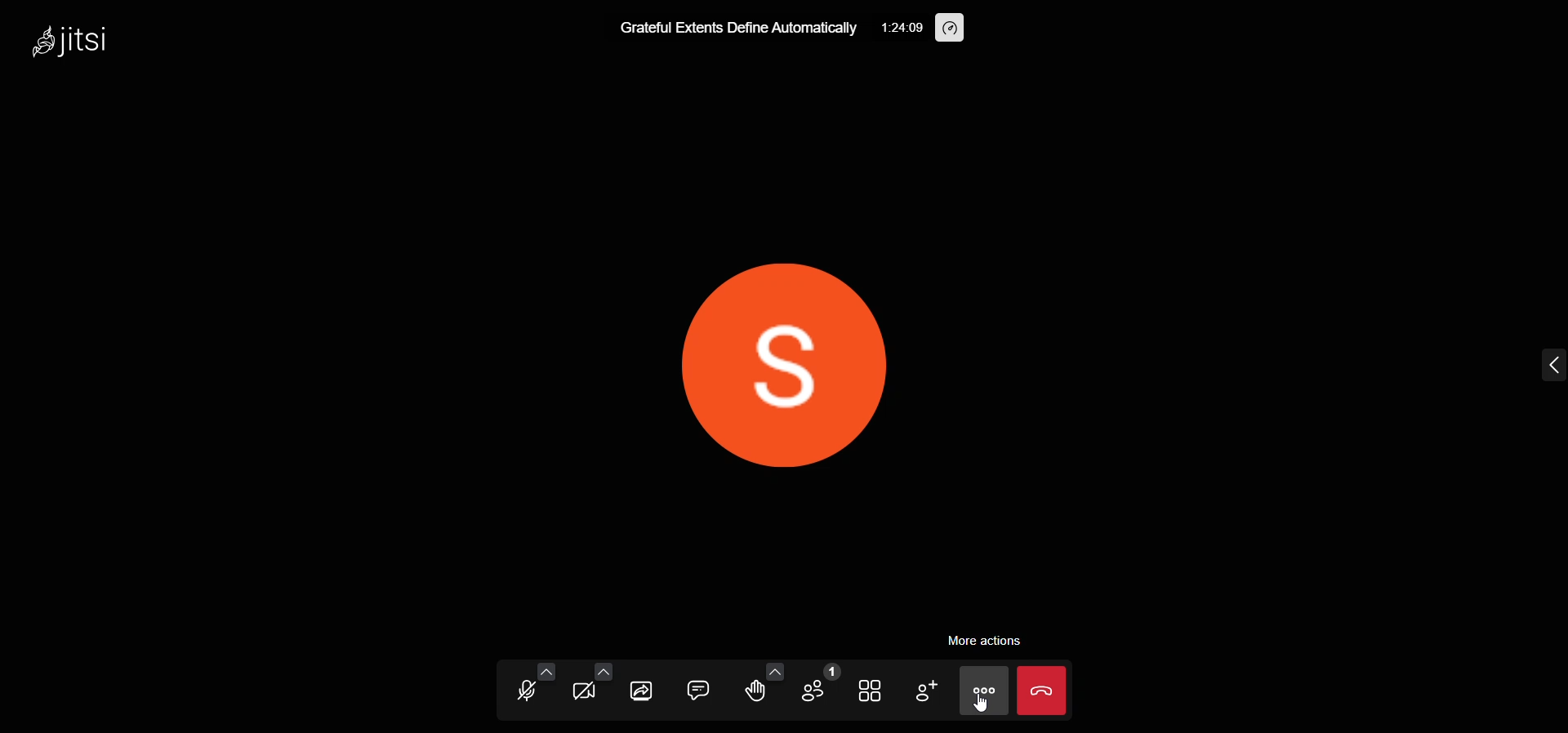 Image resolution: width=1568 pixels, height=733 pixels. Describe the element at coordinates (583, 694) in the screenshot. I see `video` at that location.